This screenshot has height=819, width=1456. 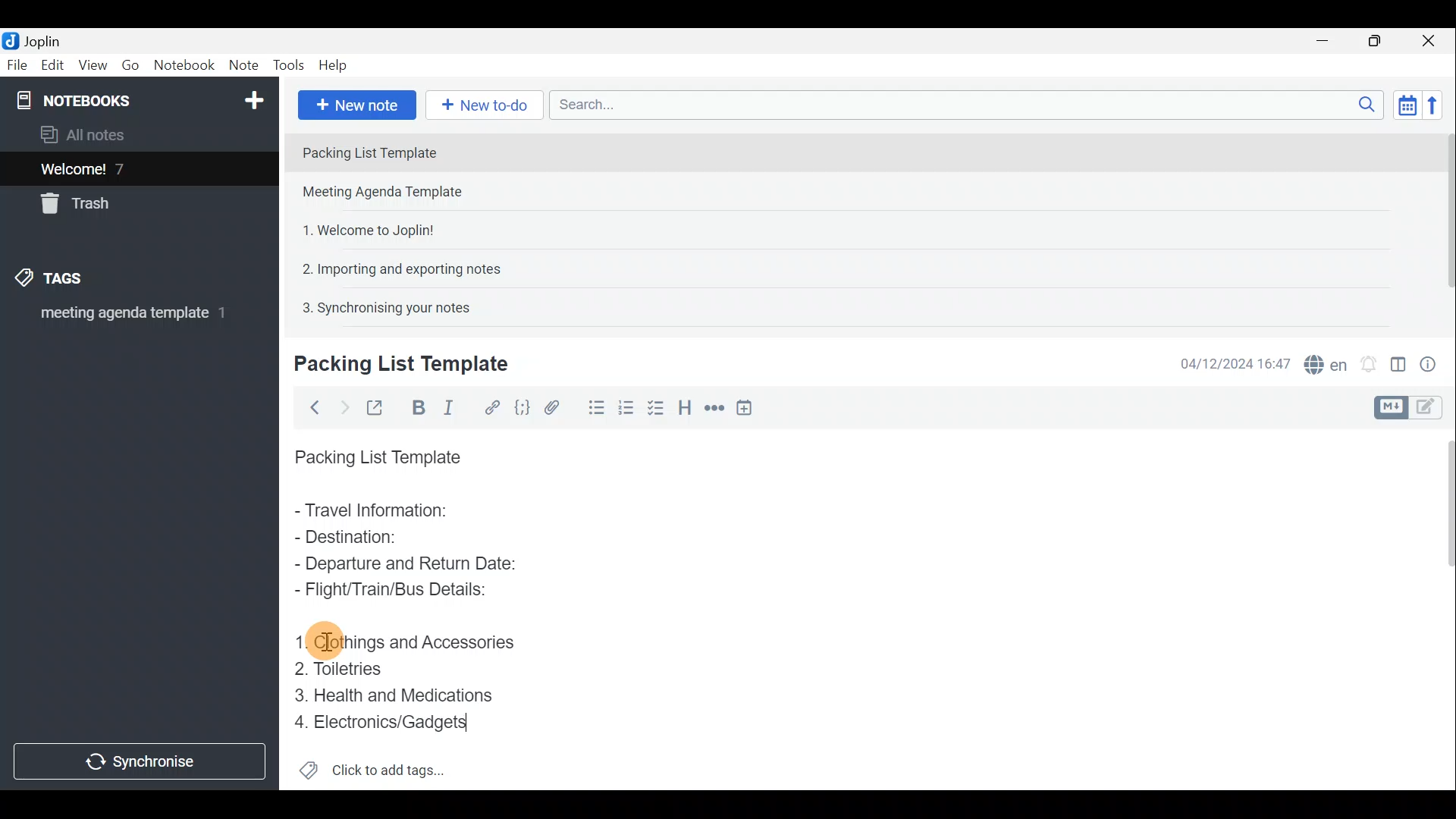 I want to click on Note 2, so click(x=397, y=193).